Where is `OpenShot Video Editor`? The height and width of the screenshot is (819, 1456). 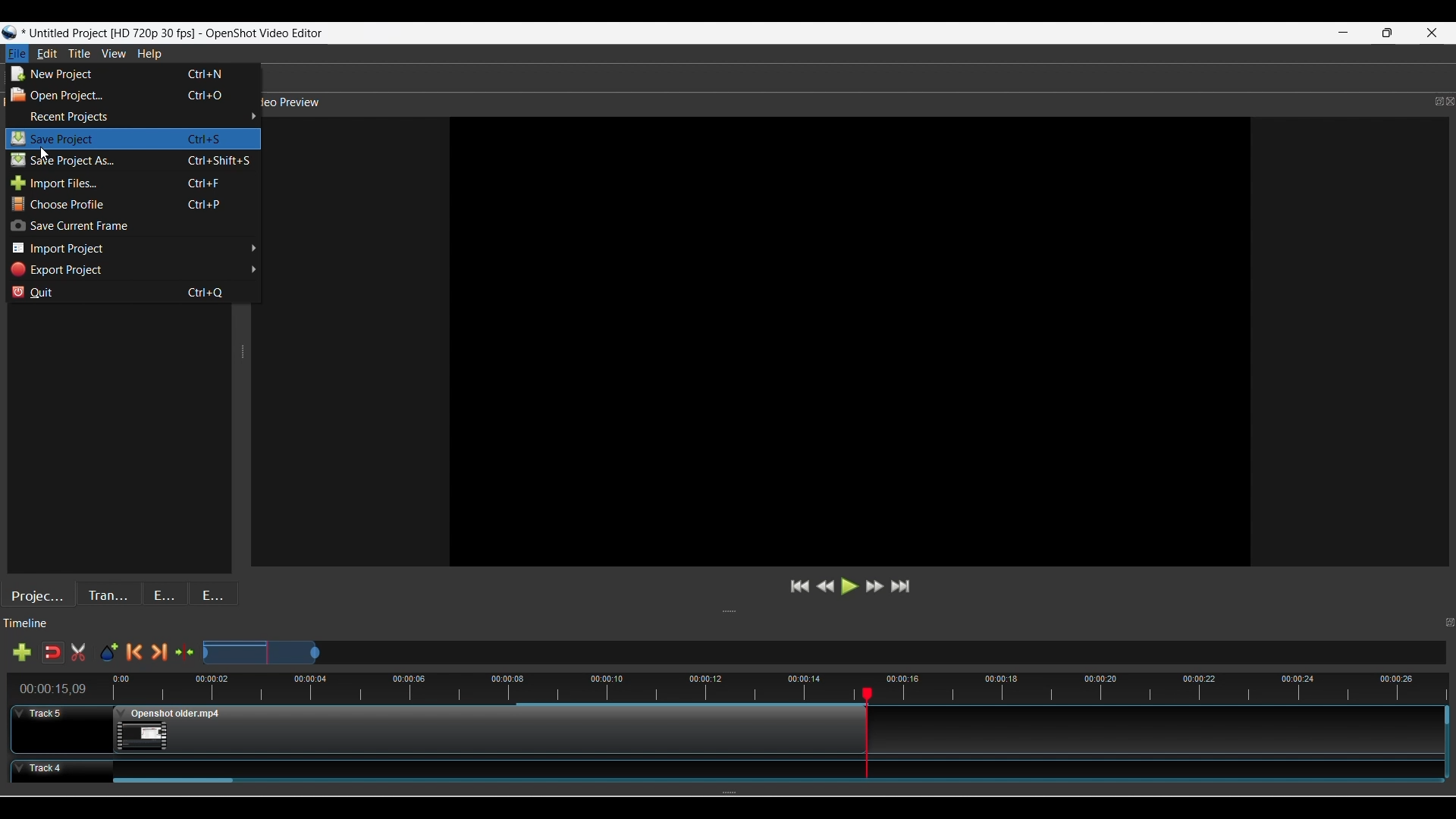
OpenShot Video Editor is located at coordinates (266, 34).